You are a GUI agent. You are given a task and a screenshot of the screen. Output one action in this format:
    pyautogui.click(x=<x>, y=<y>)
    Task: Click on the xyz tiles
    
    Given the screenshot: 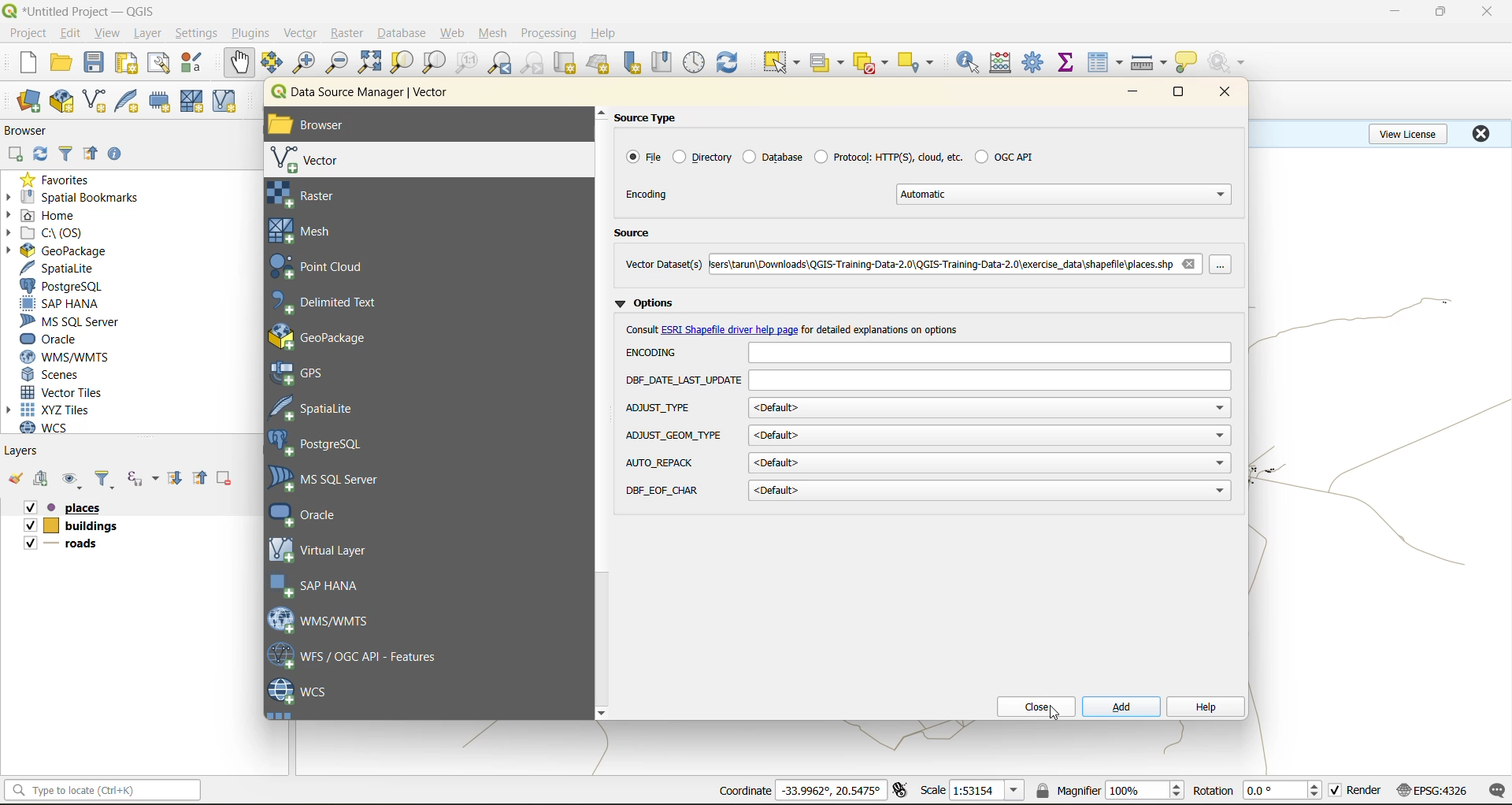 What is the action you would take?
    pyautogui.click(x=57, y=410)
    